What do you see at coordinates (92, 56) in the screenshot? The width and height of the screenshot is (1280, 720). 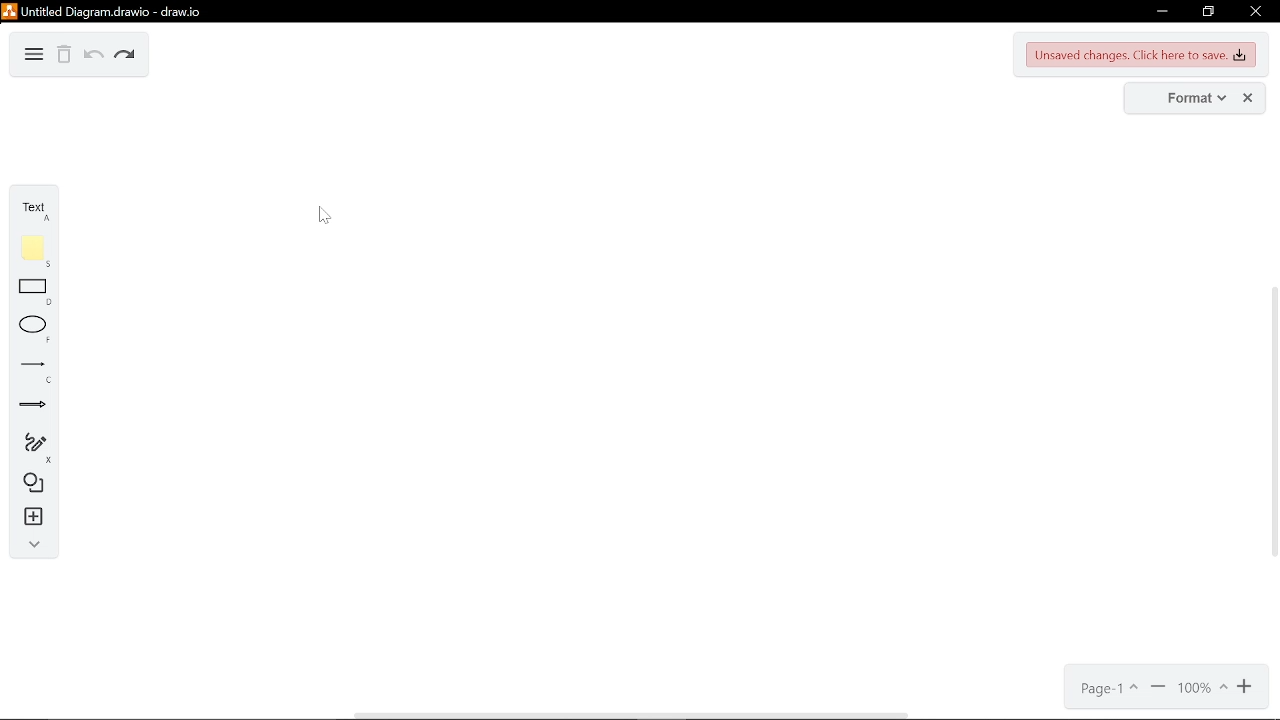 I see `undo` at bounding box center [92, 56].